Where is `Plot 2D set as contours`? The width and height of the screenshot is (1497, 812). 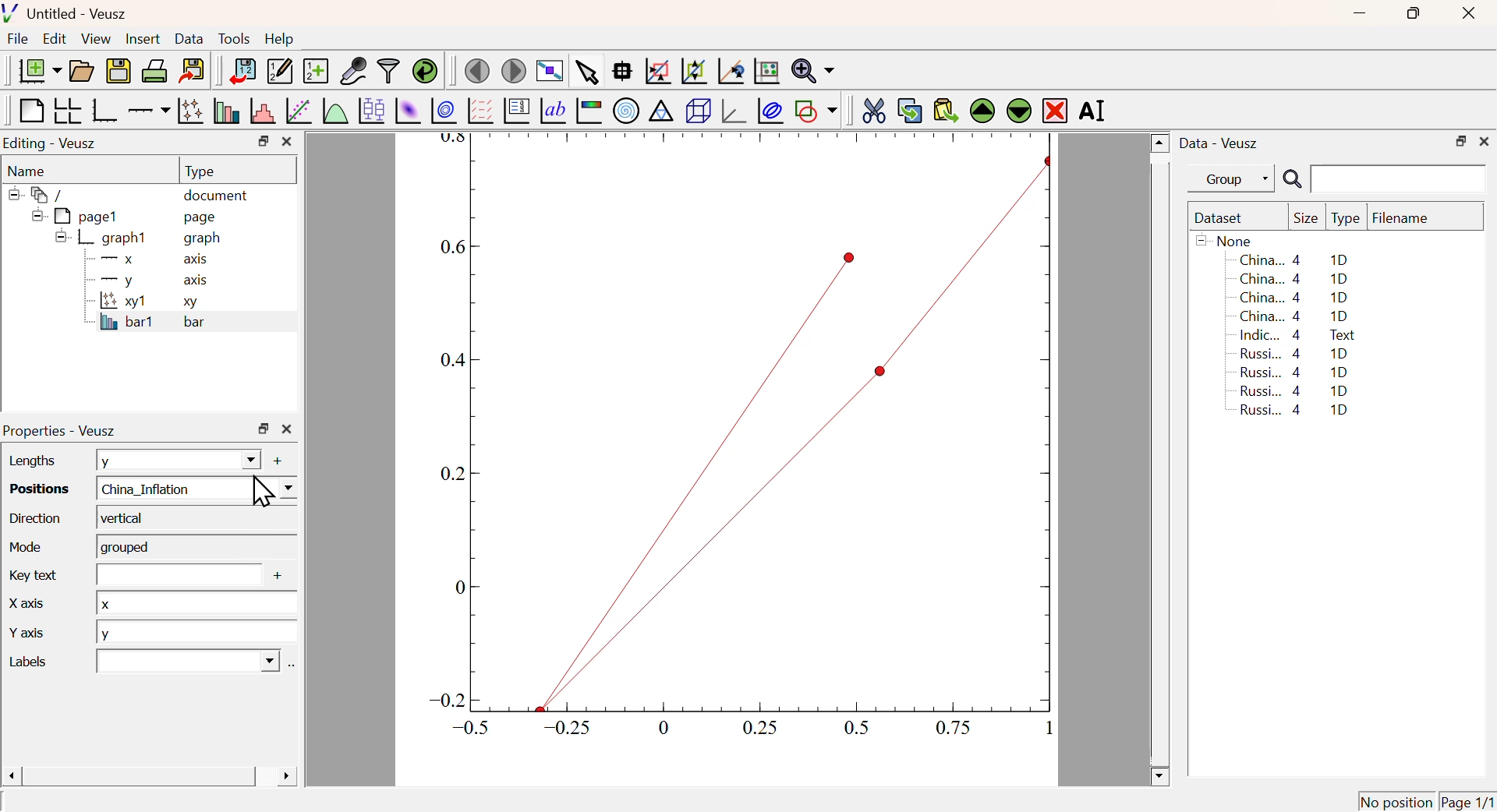
Plot 2D set as contours is located at coordinates (444, 111).